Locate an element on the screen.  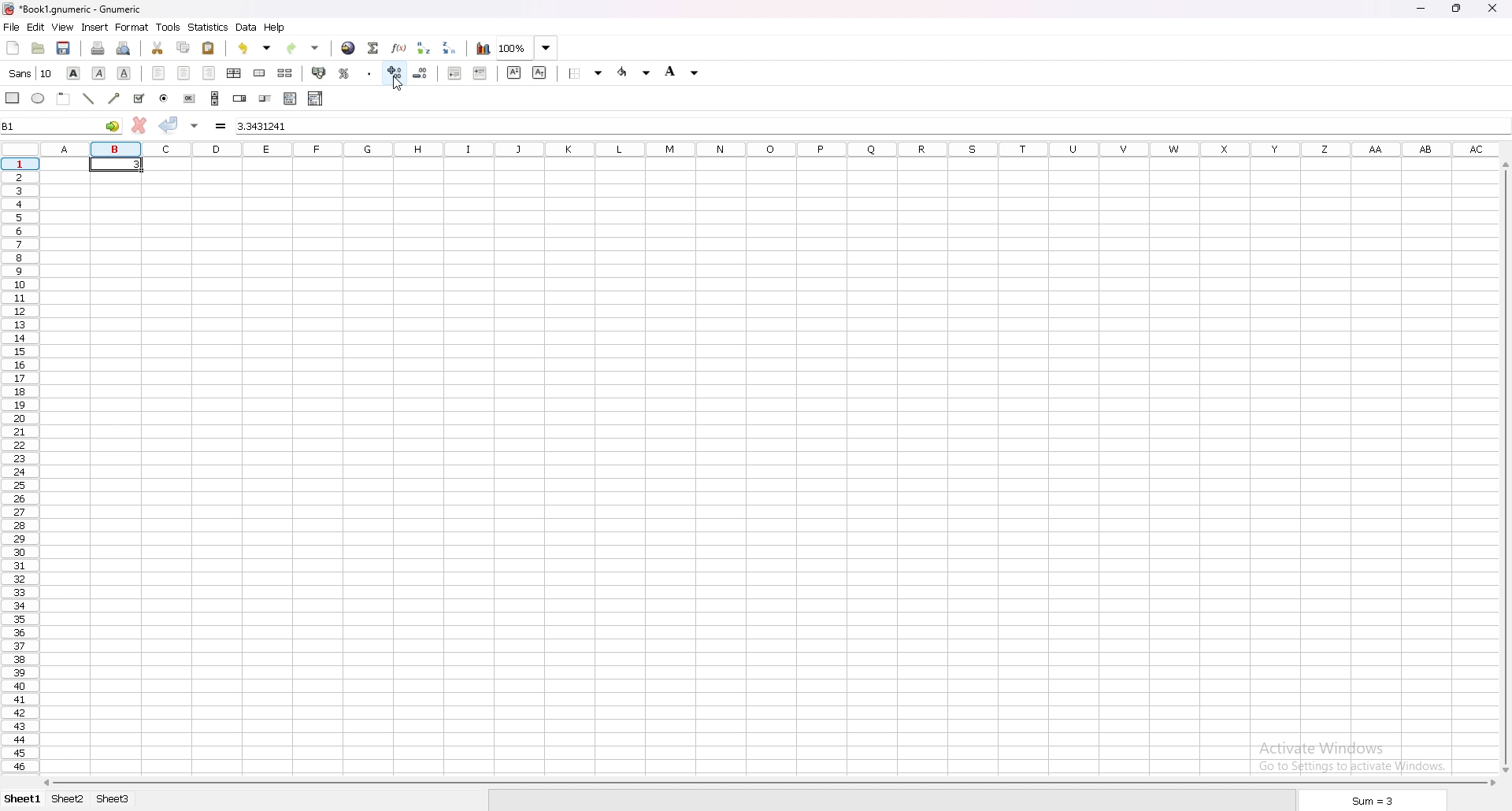
combo box is located at coordinates (317, 98).